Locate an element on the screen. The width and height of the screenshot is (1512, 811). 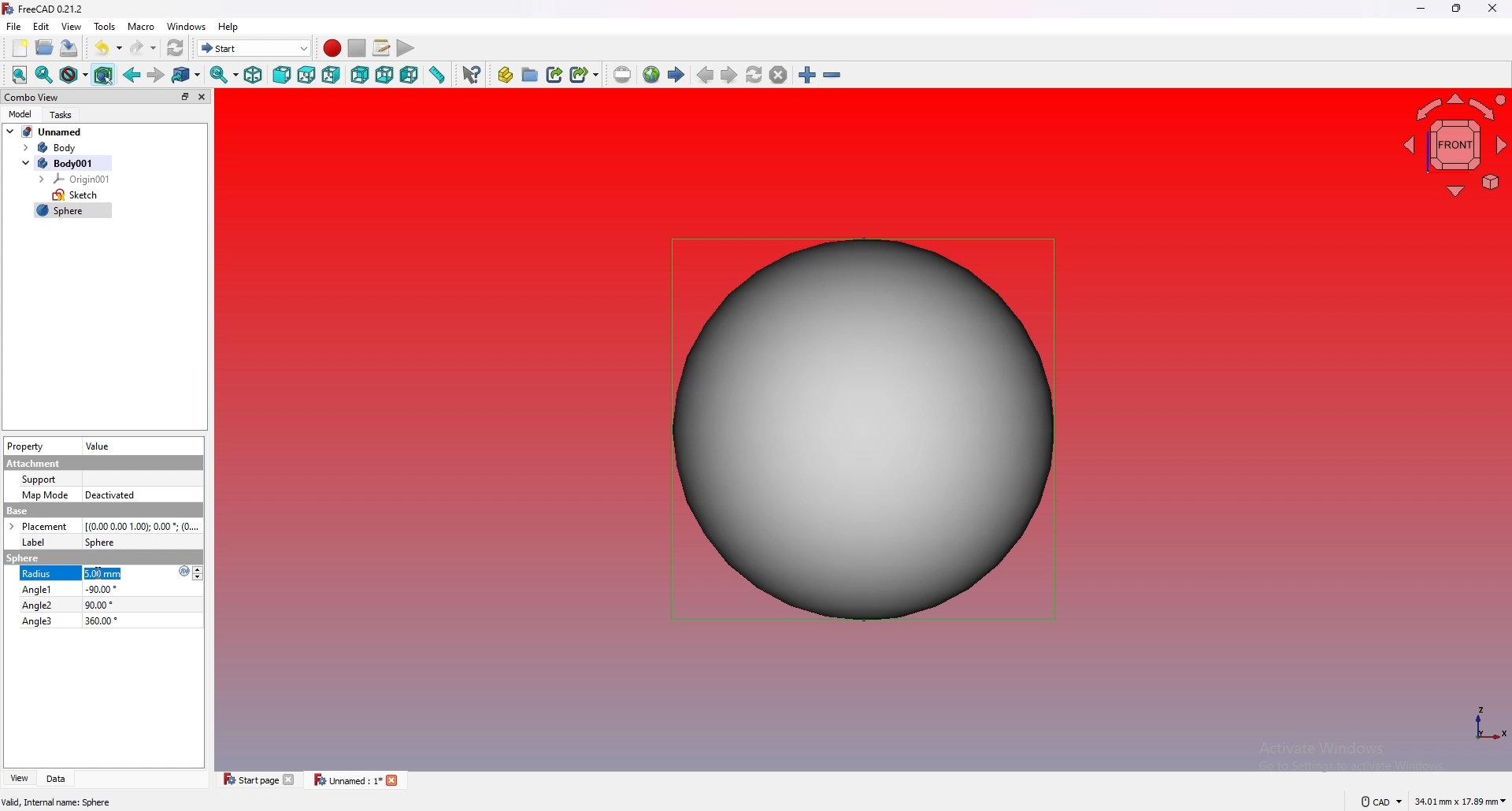
record macro is located at coordinates (333, 49).